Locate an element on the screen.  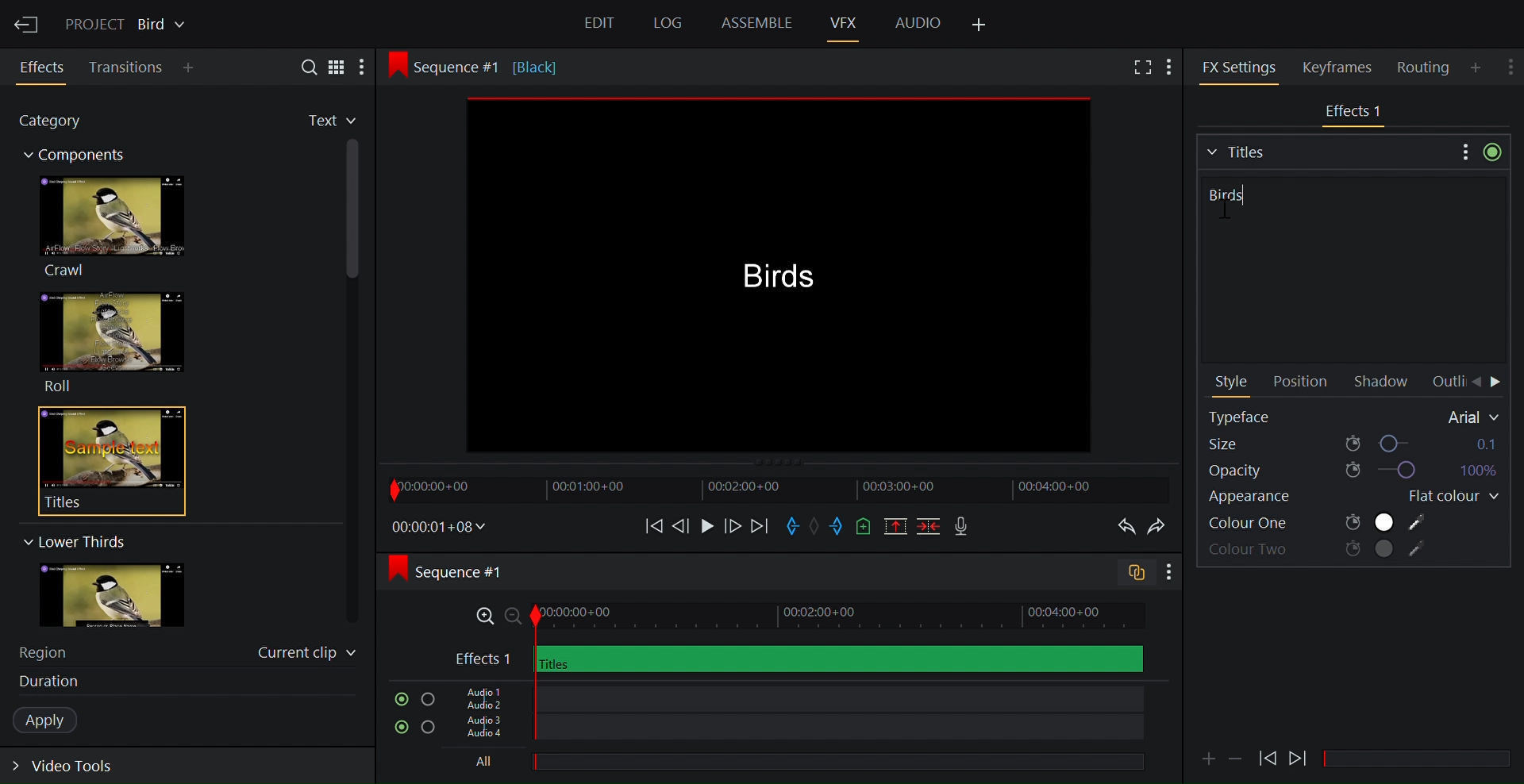
Mark out is located at coordinates (837, 527).